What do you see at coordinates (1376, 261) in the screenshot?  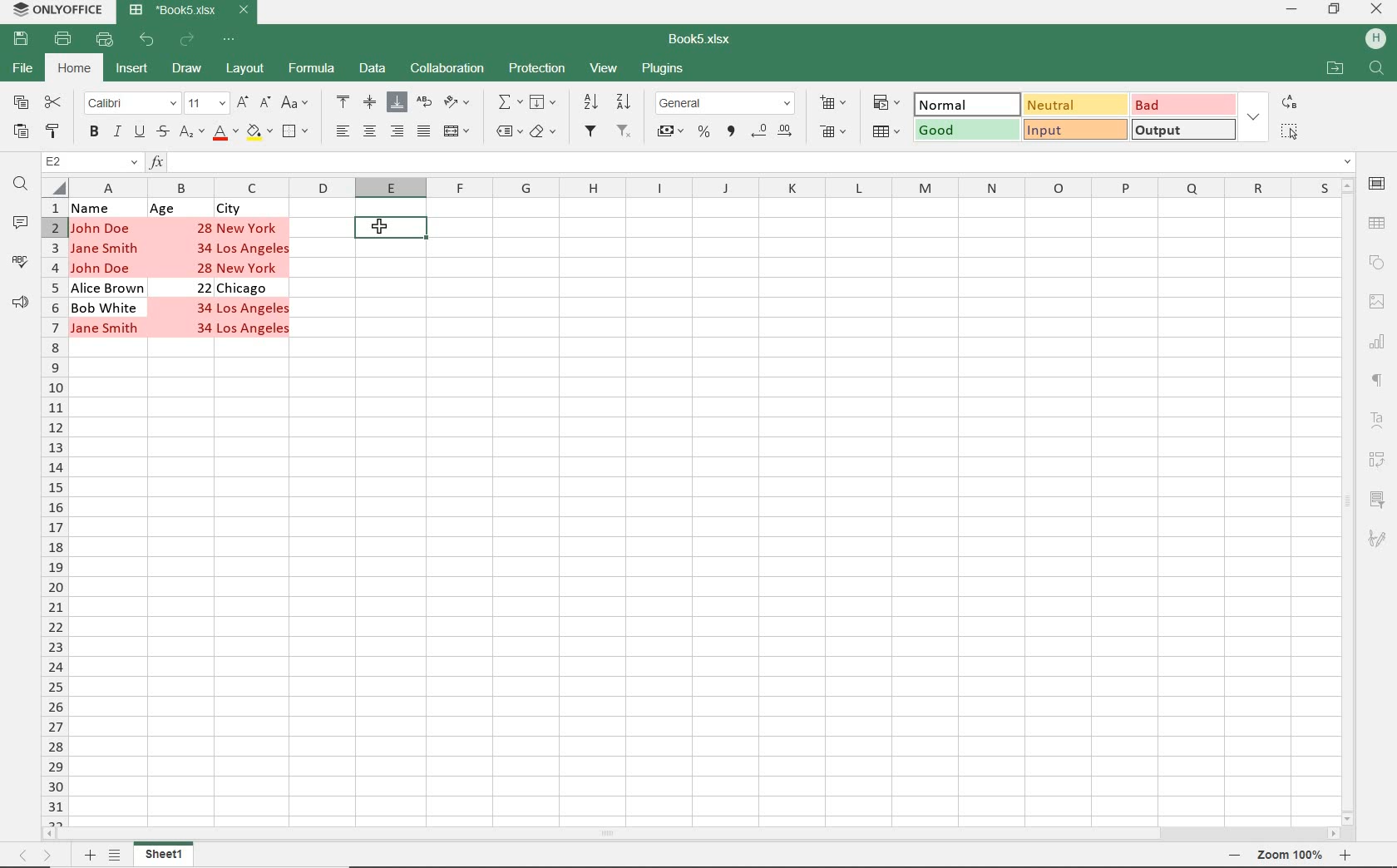 I see `SHAPE` at bounding box center [1376, 261].